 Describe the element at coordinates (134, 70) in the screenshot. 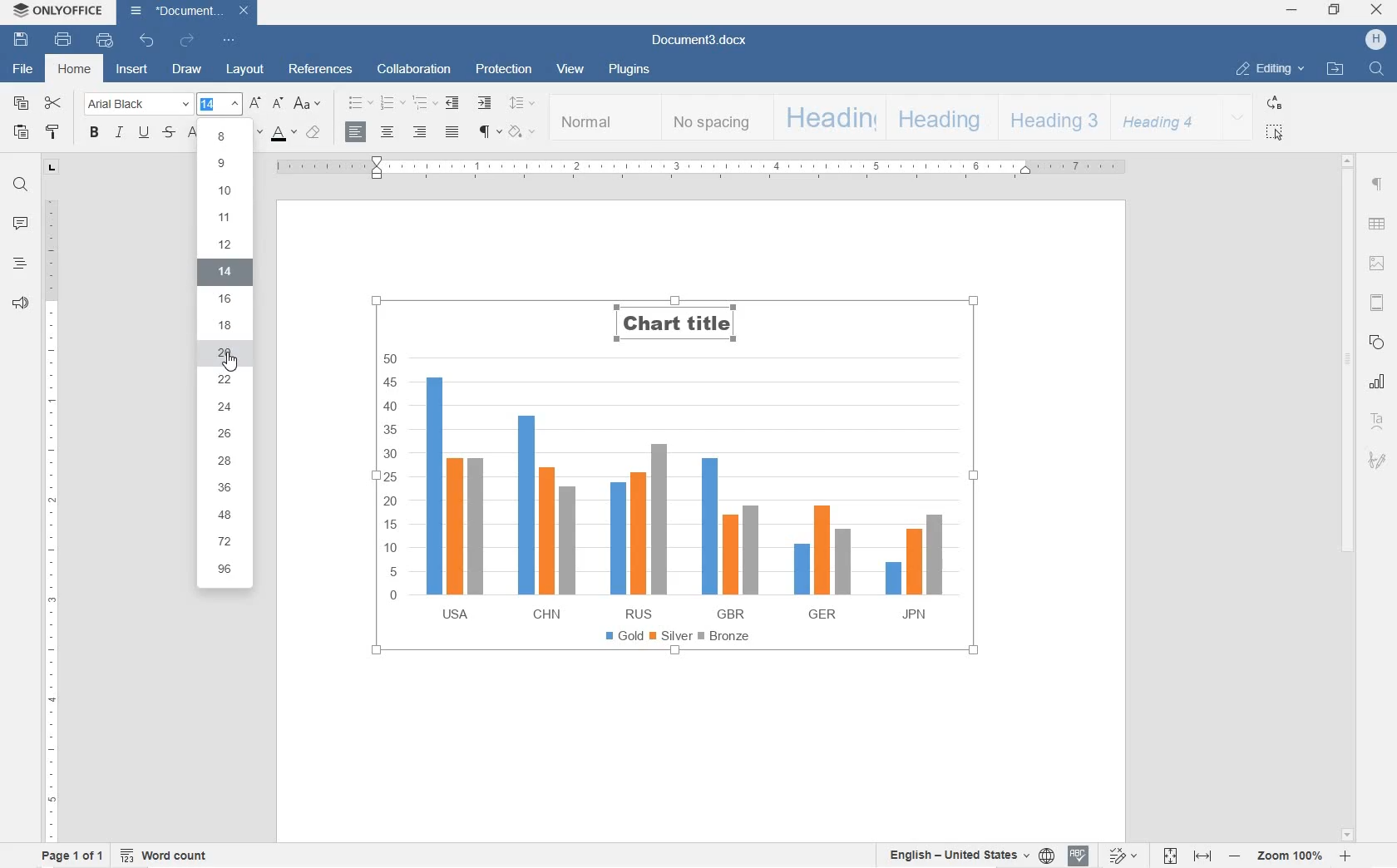

I see `INSERT` at that location.